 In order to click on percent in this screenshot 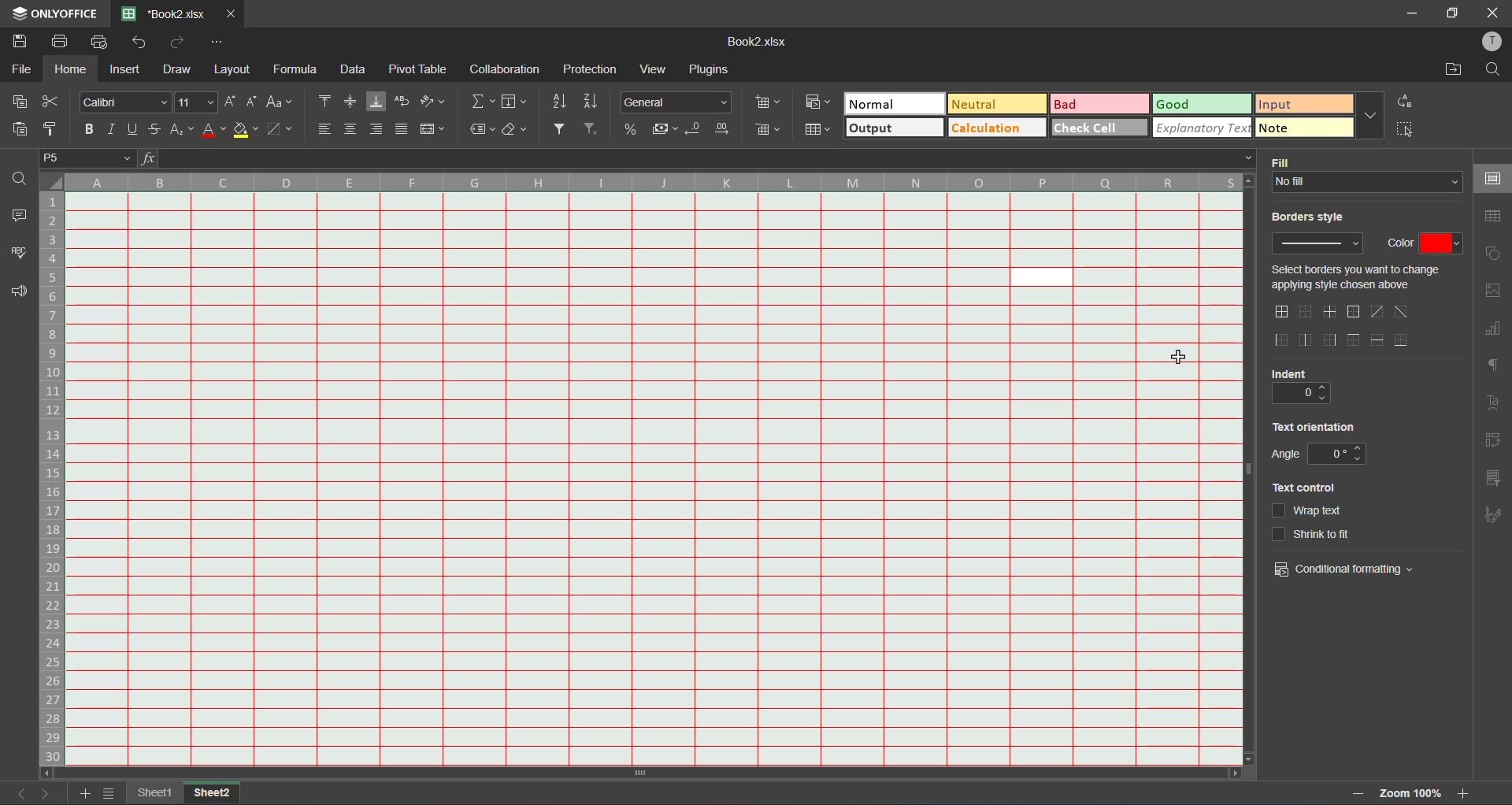, I will do `click(629, 129)`.